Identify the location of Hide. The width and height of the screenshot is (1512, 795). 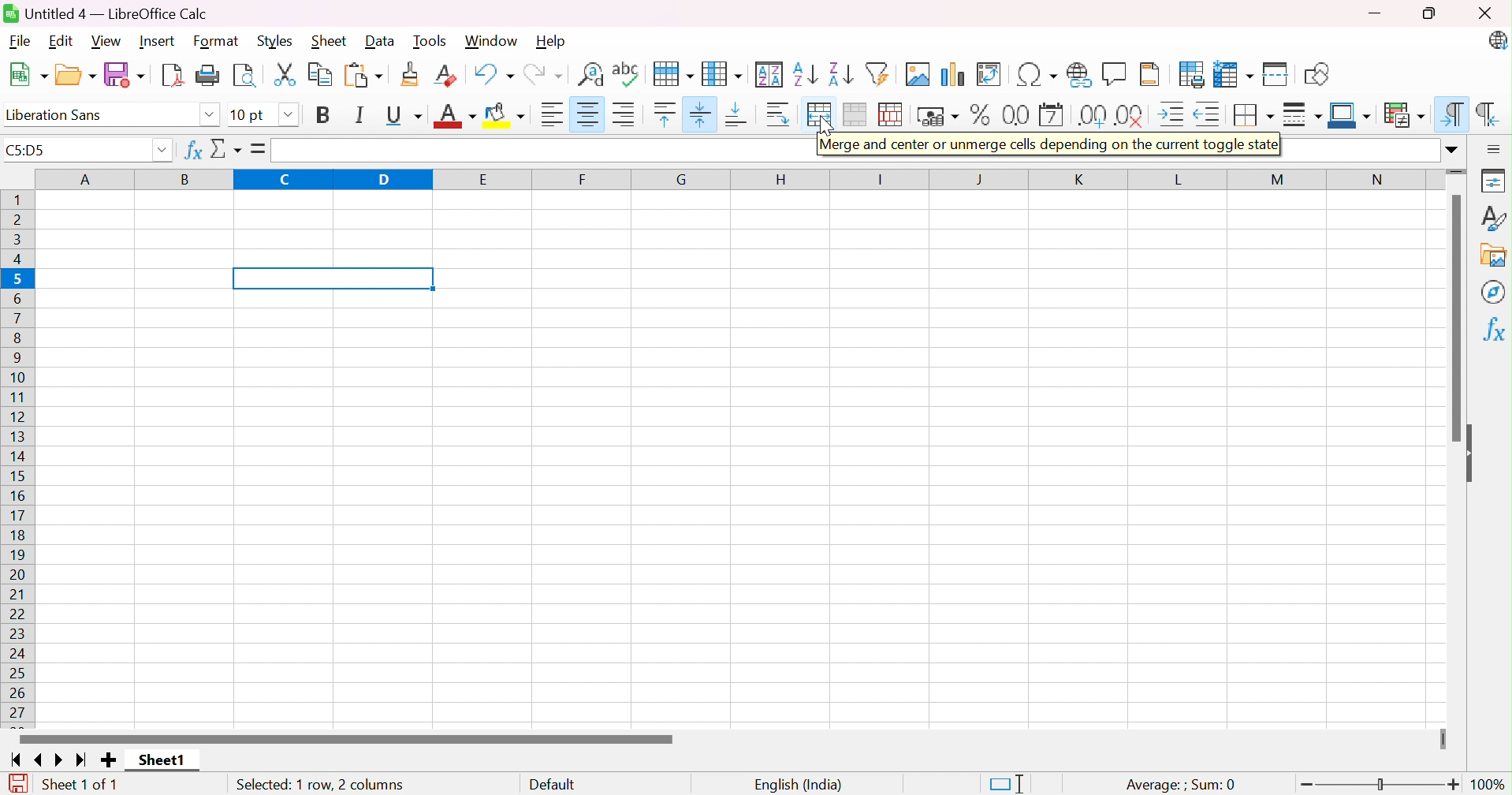
(1474, 453).